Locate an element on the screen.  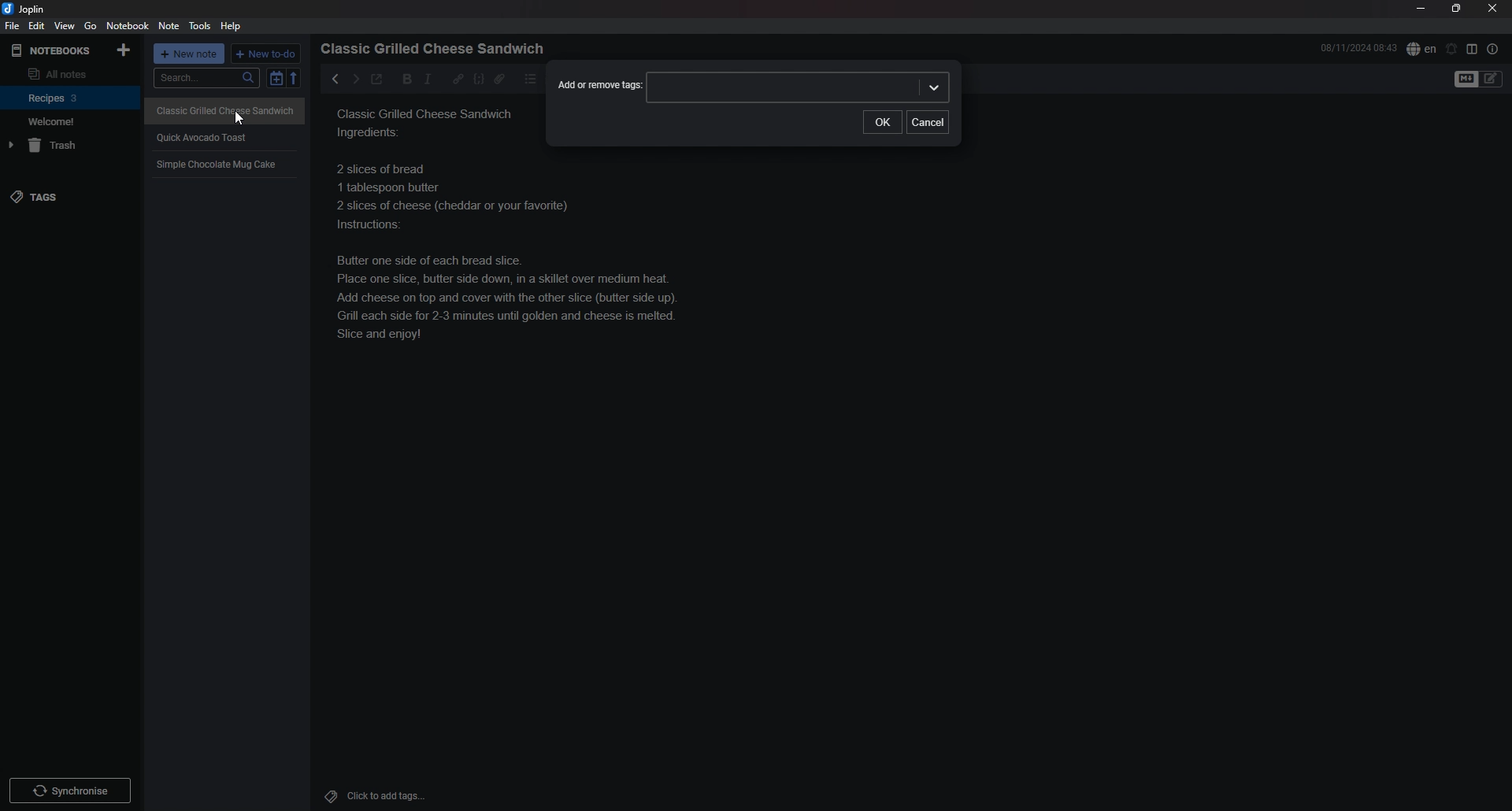
recipe is located at coordinates (202, 136).